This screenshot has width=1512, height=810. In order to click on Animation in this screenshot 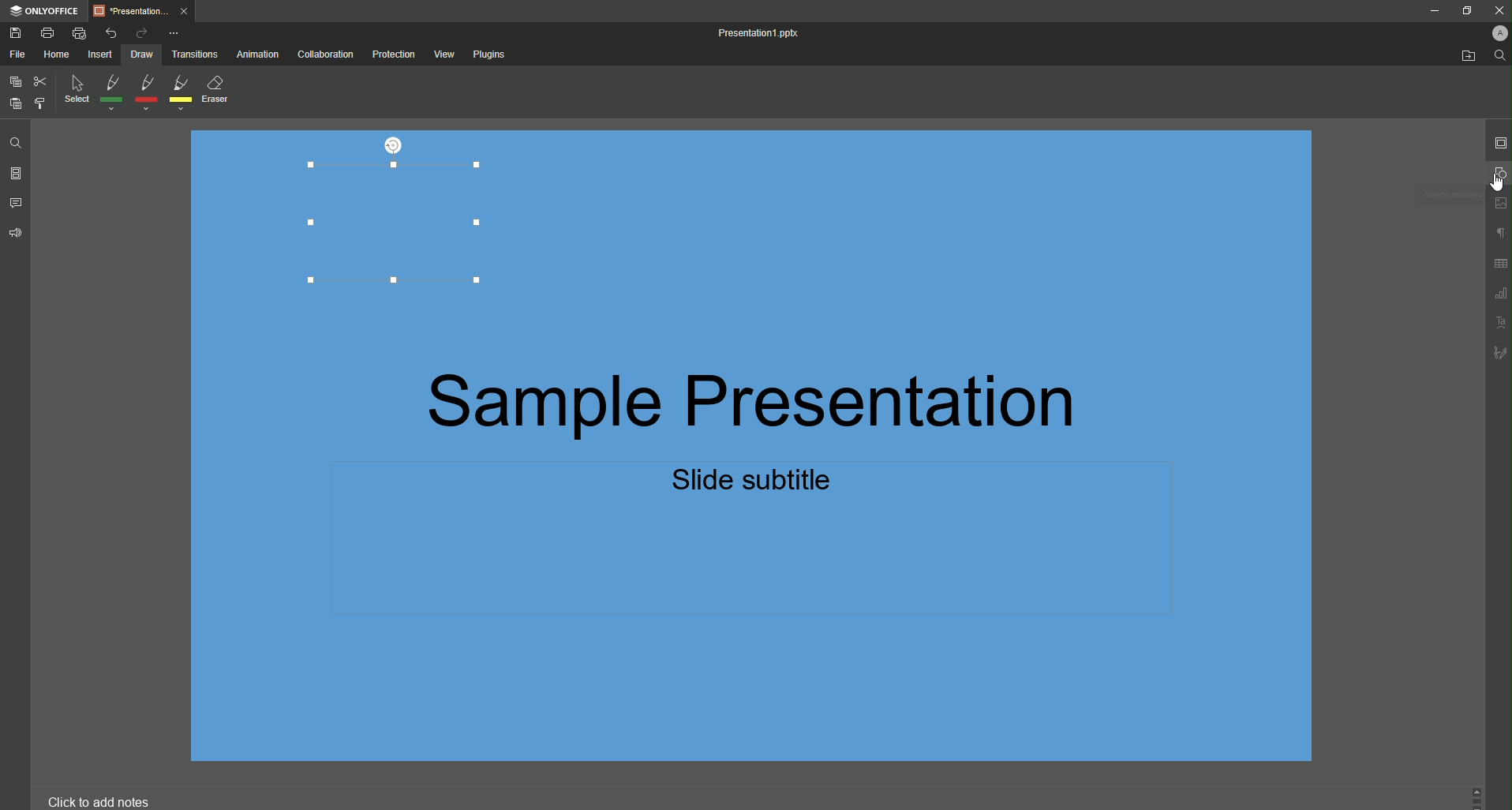, I will do `click(259, 56)`.